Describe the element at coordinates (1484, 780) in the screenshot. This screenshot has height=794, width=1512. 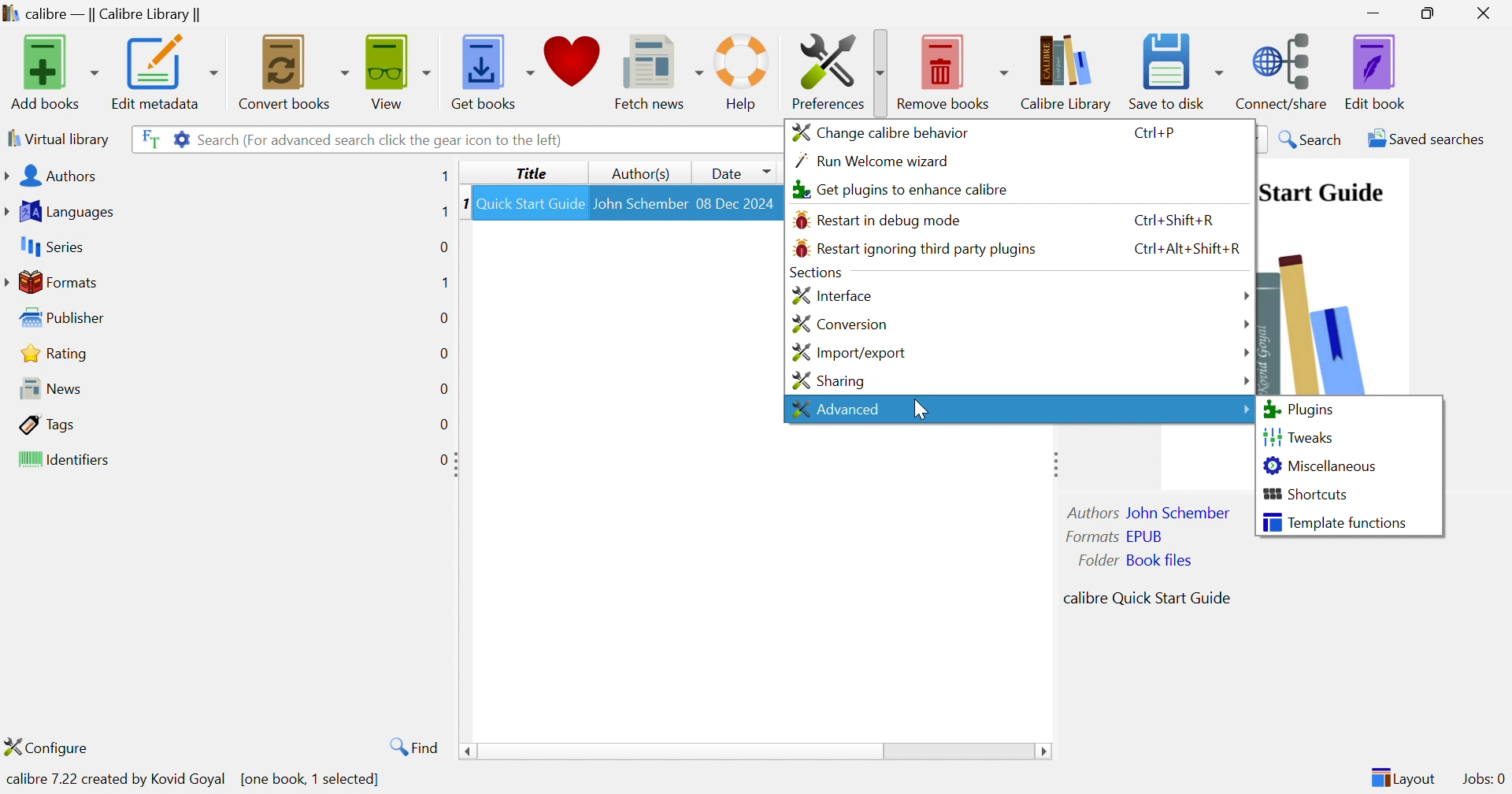
I see `Jobs: 0` at that location.